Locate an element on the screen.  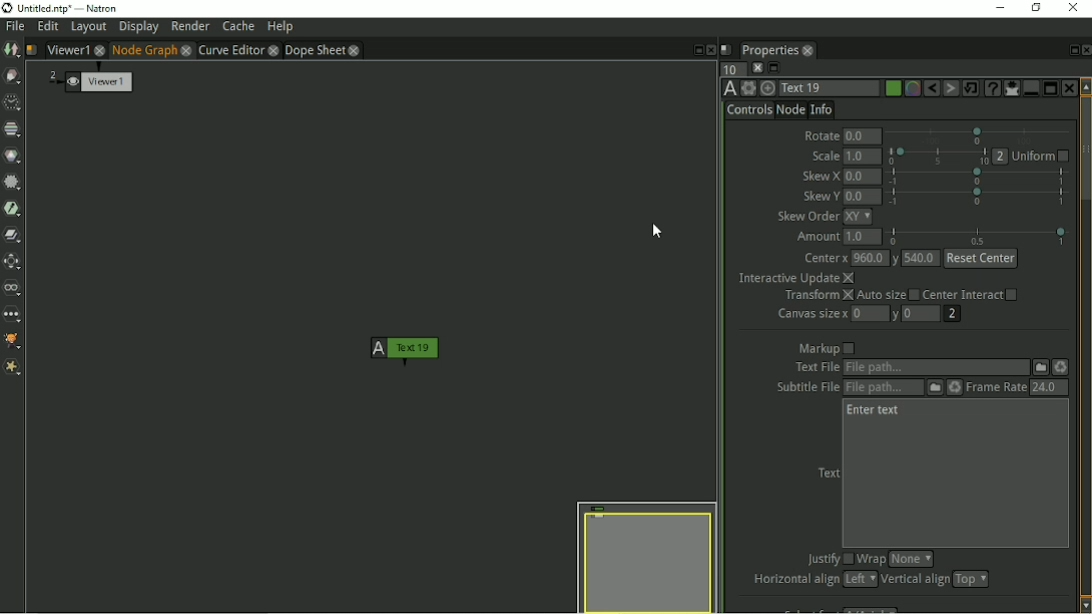
Subtitle File is located at coordinates (882, 388).